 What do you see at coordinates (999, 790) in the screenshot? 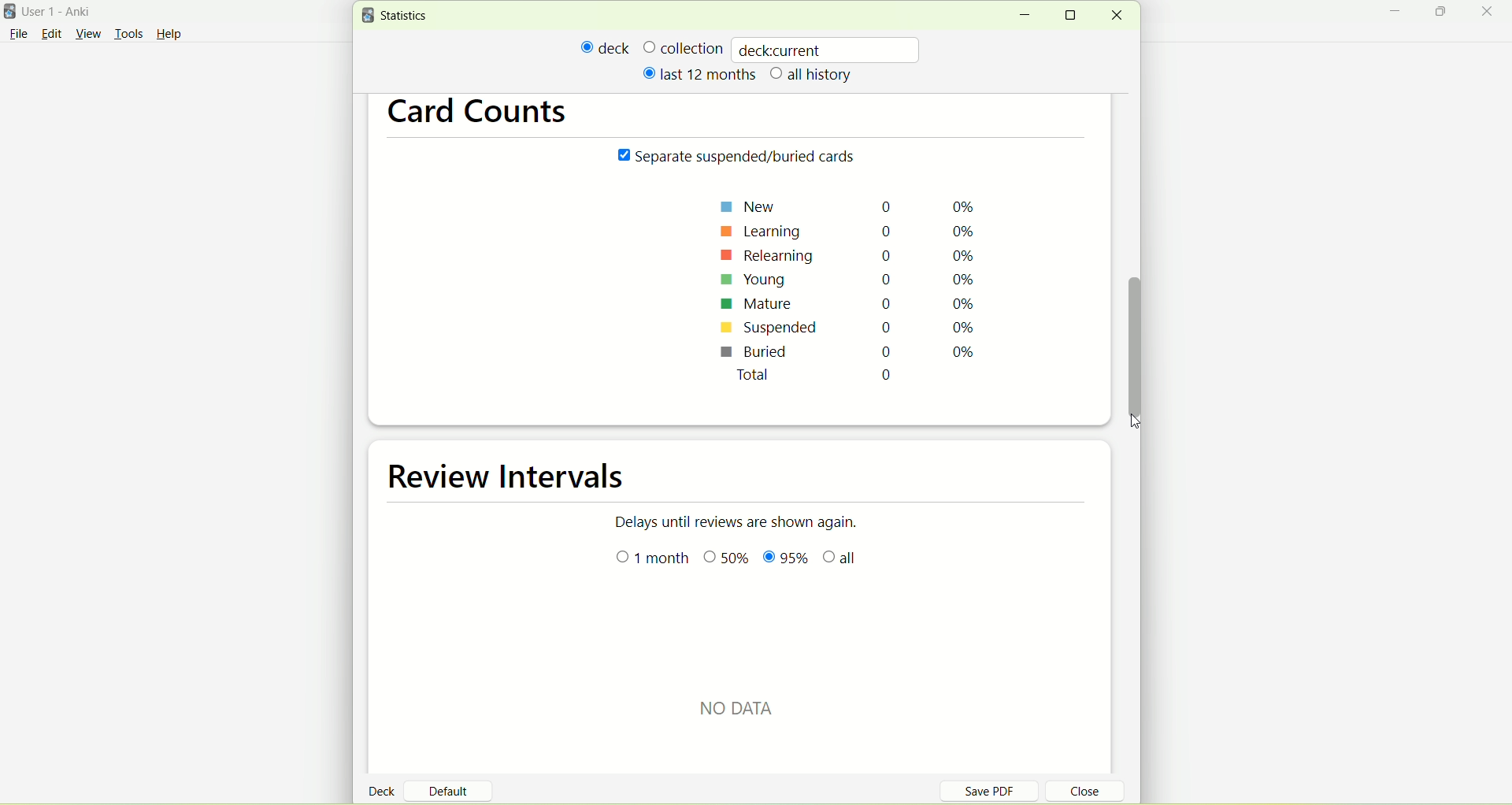
I see `save PDF` at bounding box center [999, 790].